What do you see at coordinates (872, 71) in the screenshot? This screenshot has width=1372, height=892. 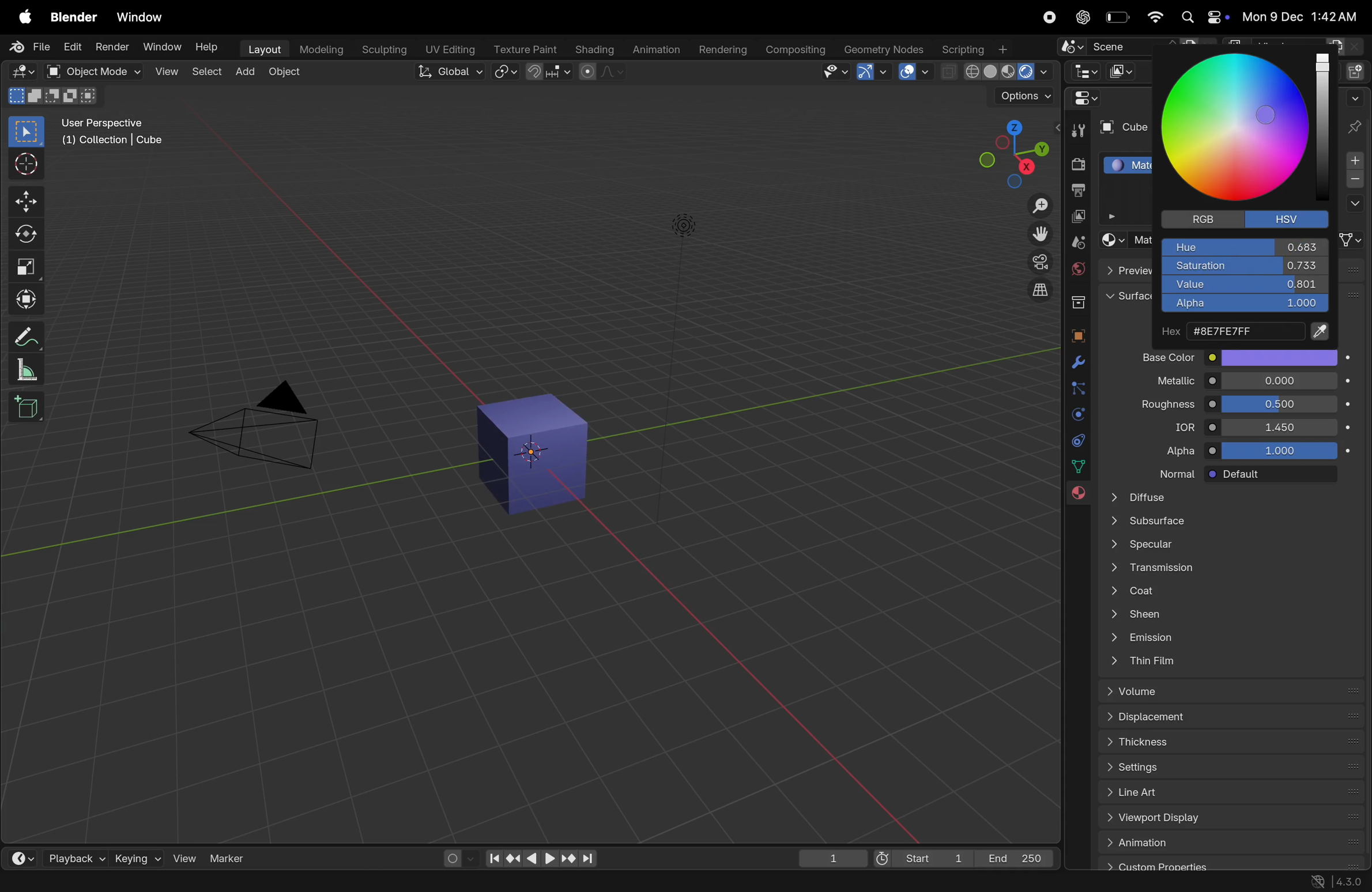 I see `show gimzo` at bounding box center [872, 71].